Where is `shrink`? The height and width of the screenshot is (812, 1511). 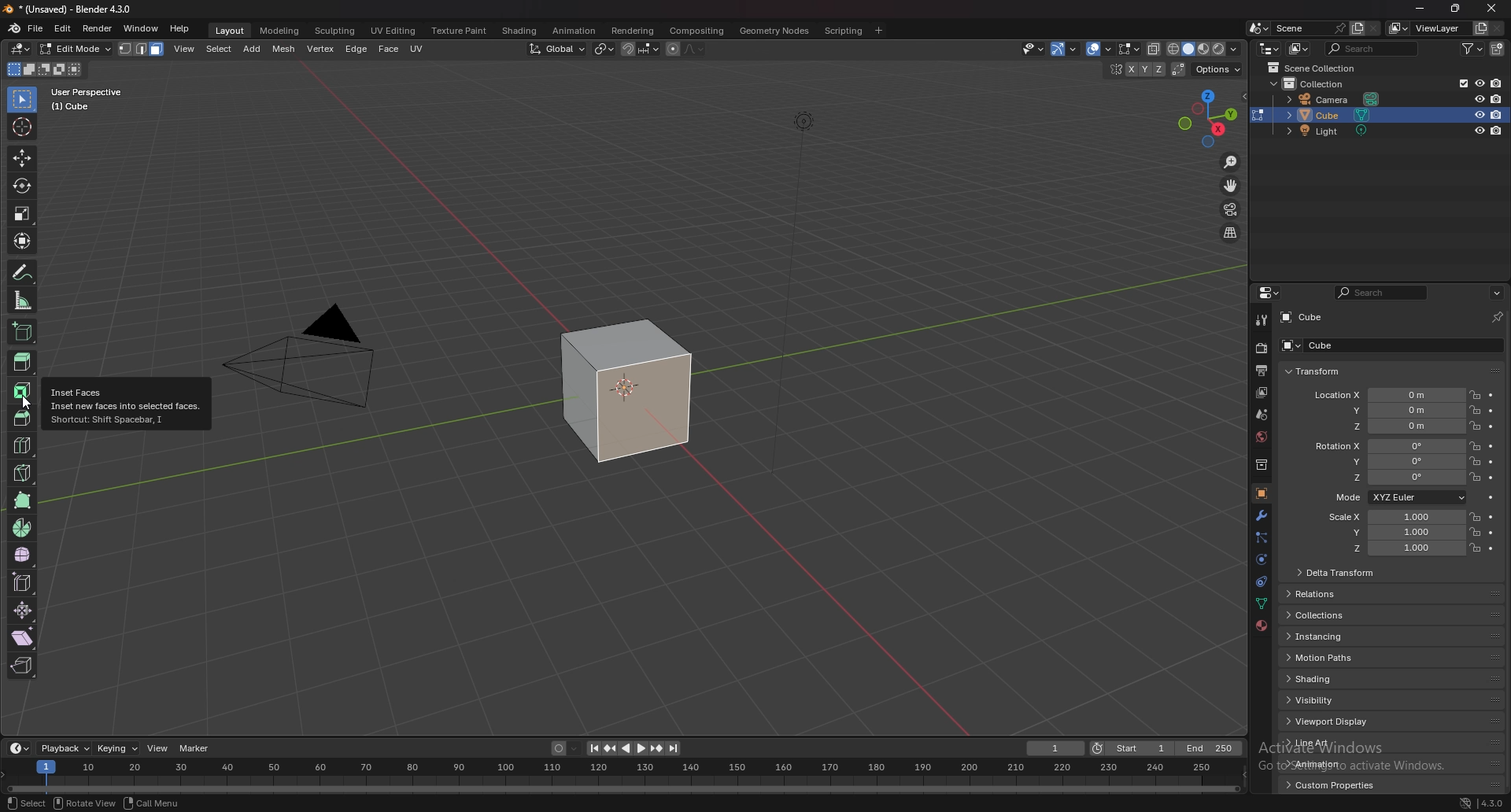 shrink is located at coordinates (24, 610).